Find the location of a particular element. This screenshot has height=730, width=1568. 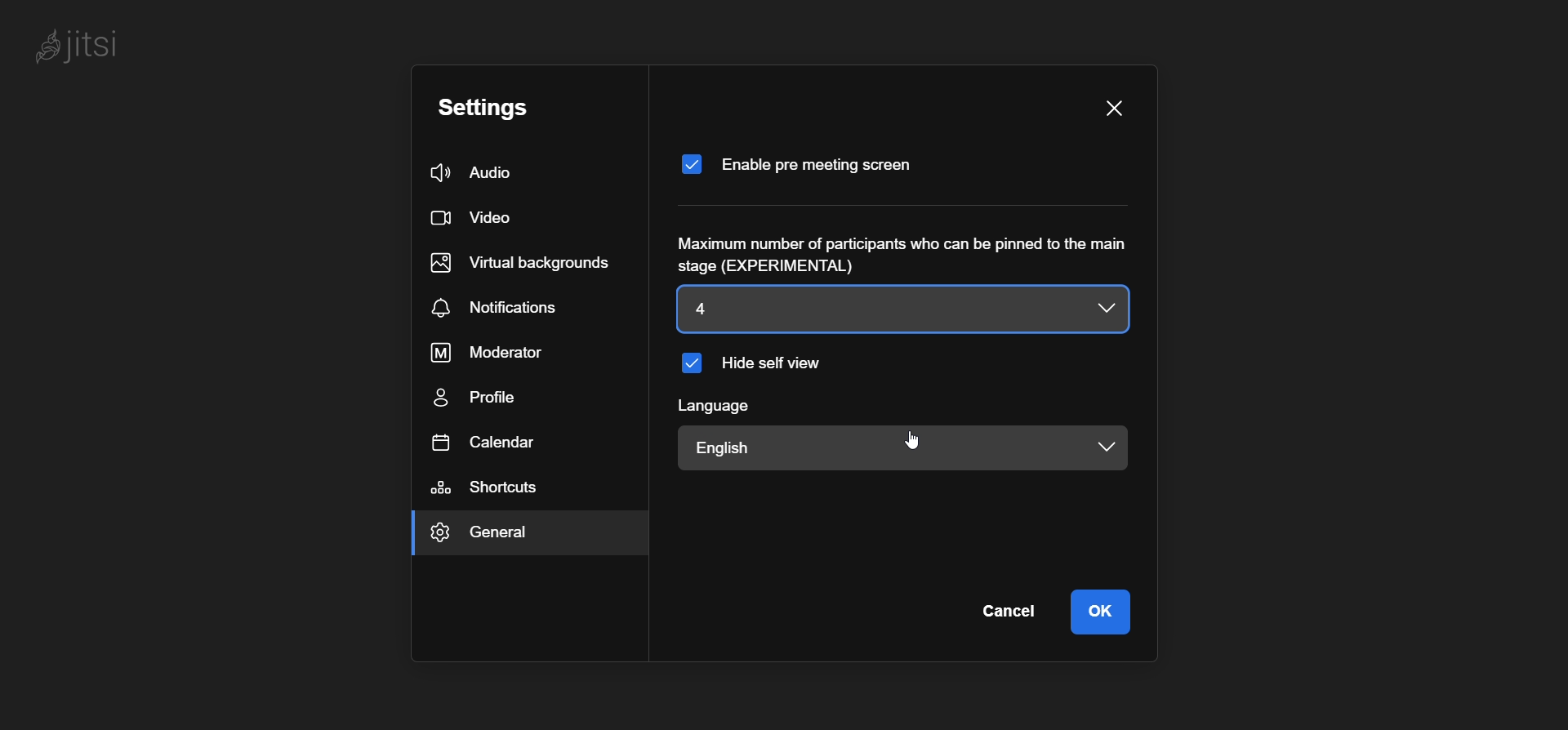

notification is located at coordinates (501, 308).